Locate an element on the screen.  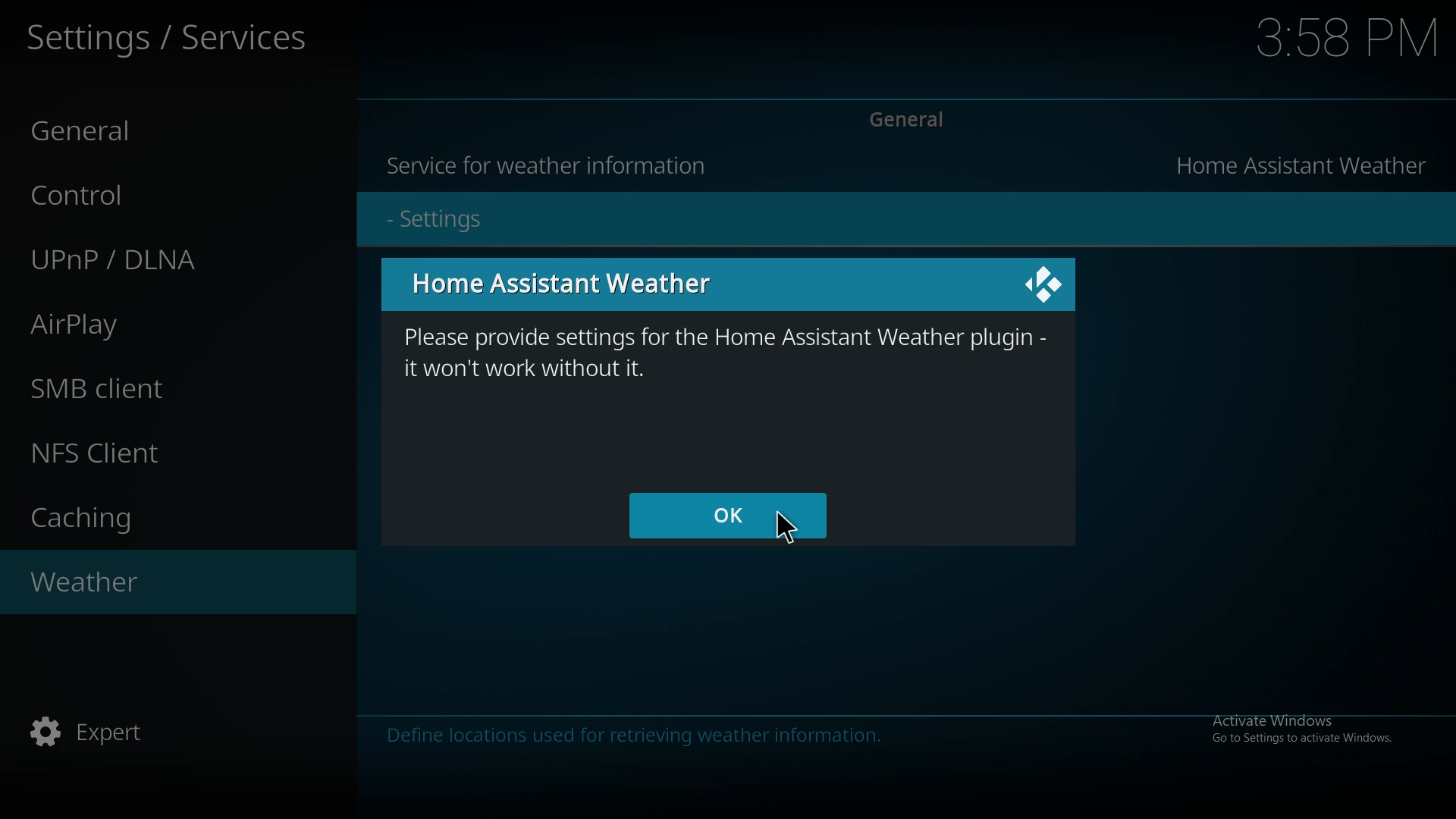
Settings/Services is located at coordinates (171, 35).